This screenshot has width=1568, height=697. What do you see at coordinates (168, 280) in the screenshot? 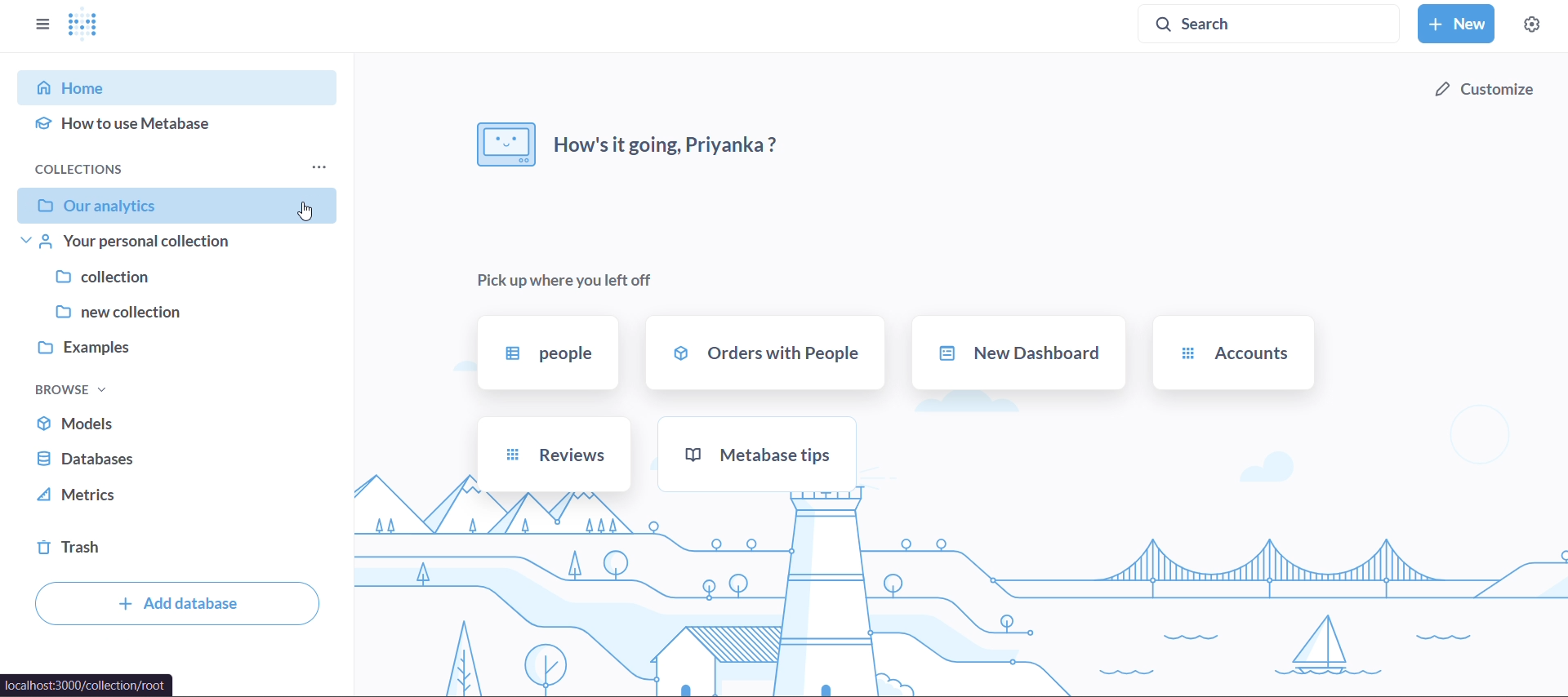
I see `collection` at bounding box center [168, 280].